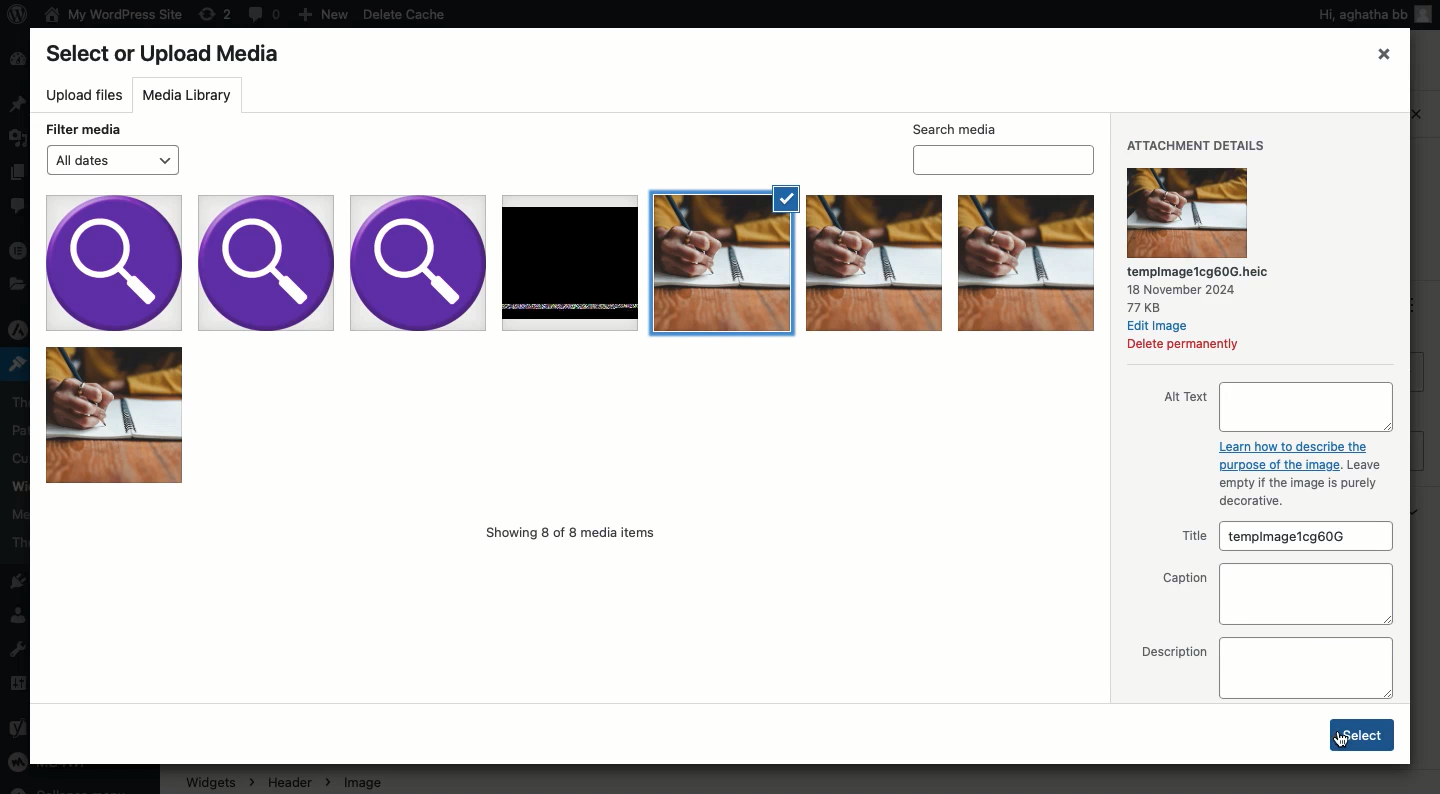 This screenshot has width=1440, height=794. I want to click on Upload files, so click(84, 96).